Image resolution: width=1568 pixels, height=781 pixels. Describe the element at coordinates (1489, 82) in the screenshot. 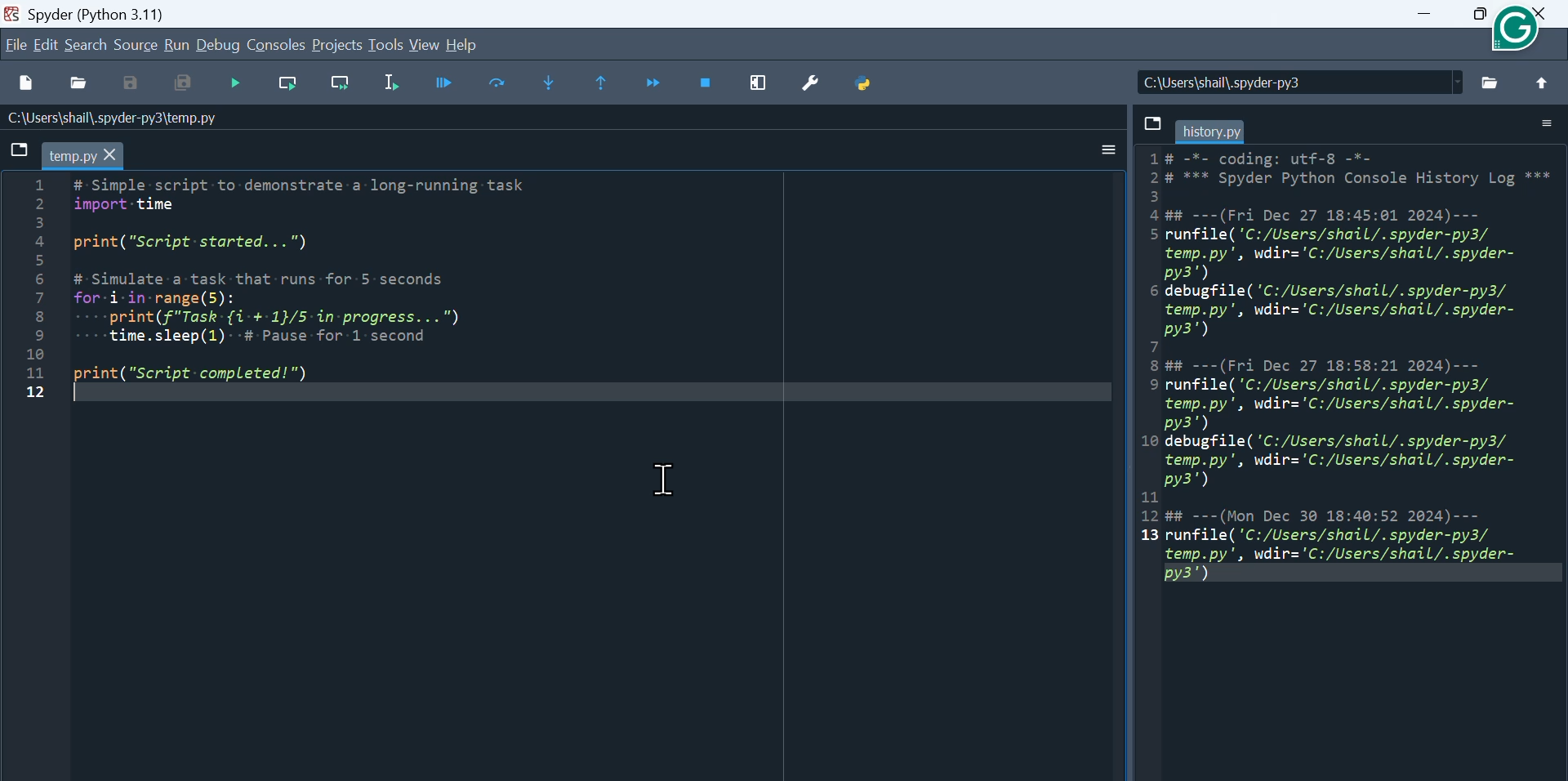

I see `folder` at that location.